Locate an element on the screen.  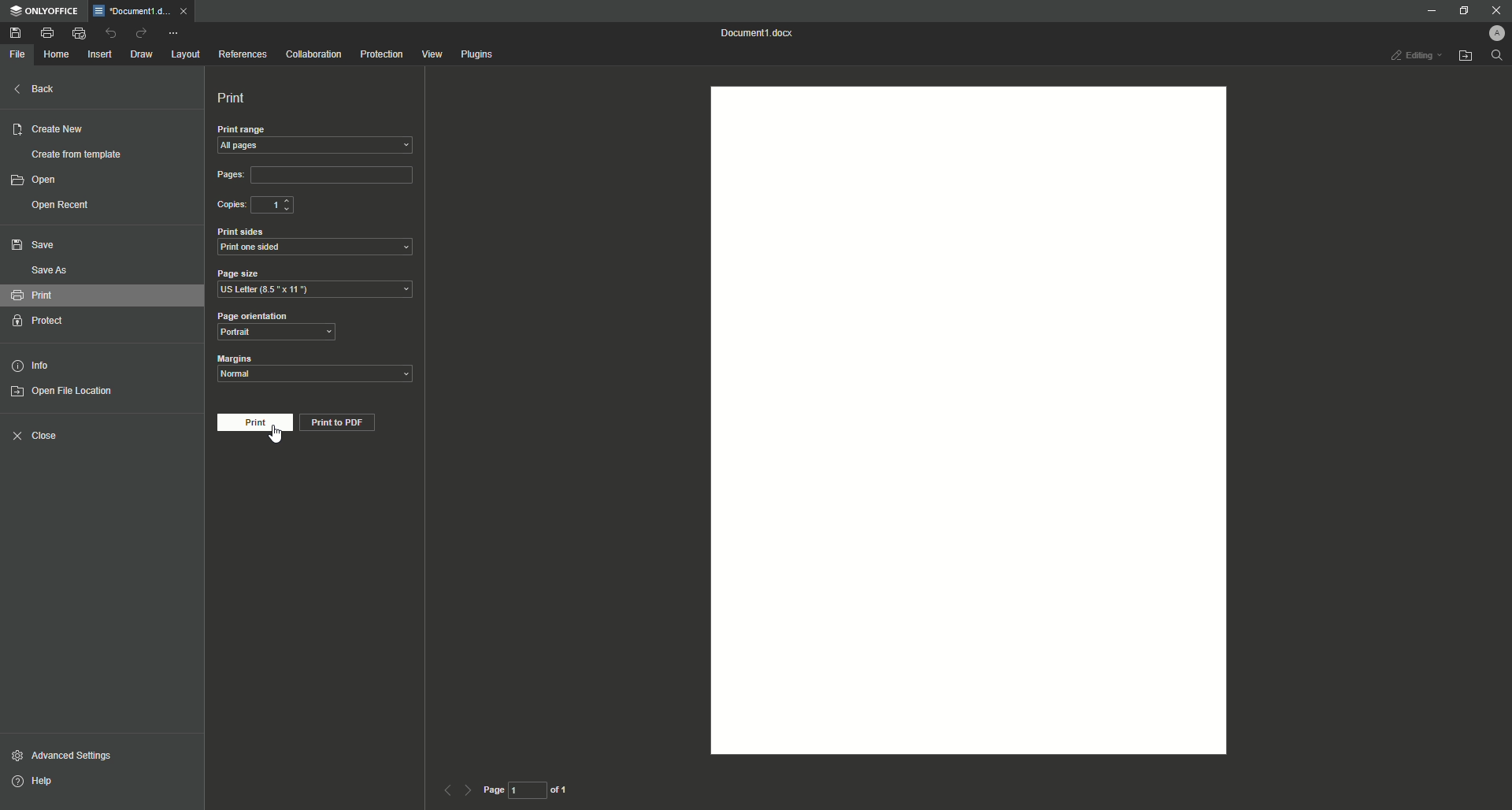
Print is located at coordinates (236, 97).